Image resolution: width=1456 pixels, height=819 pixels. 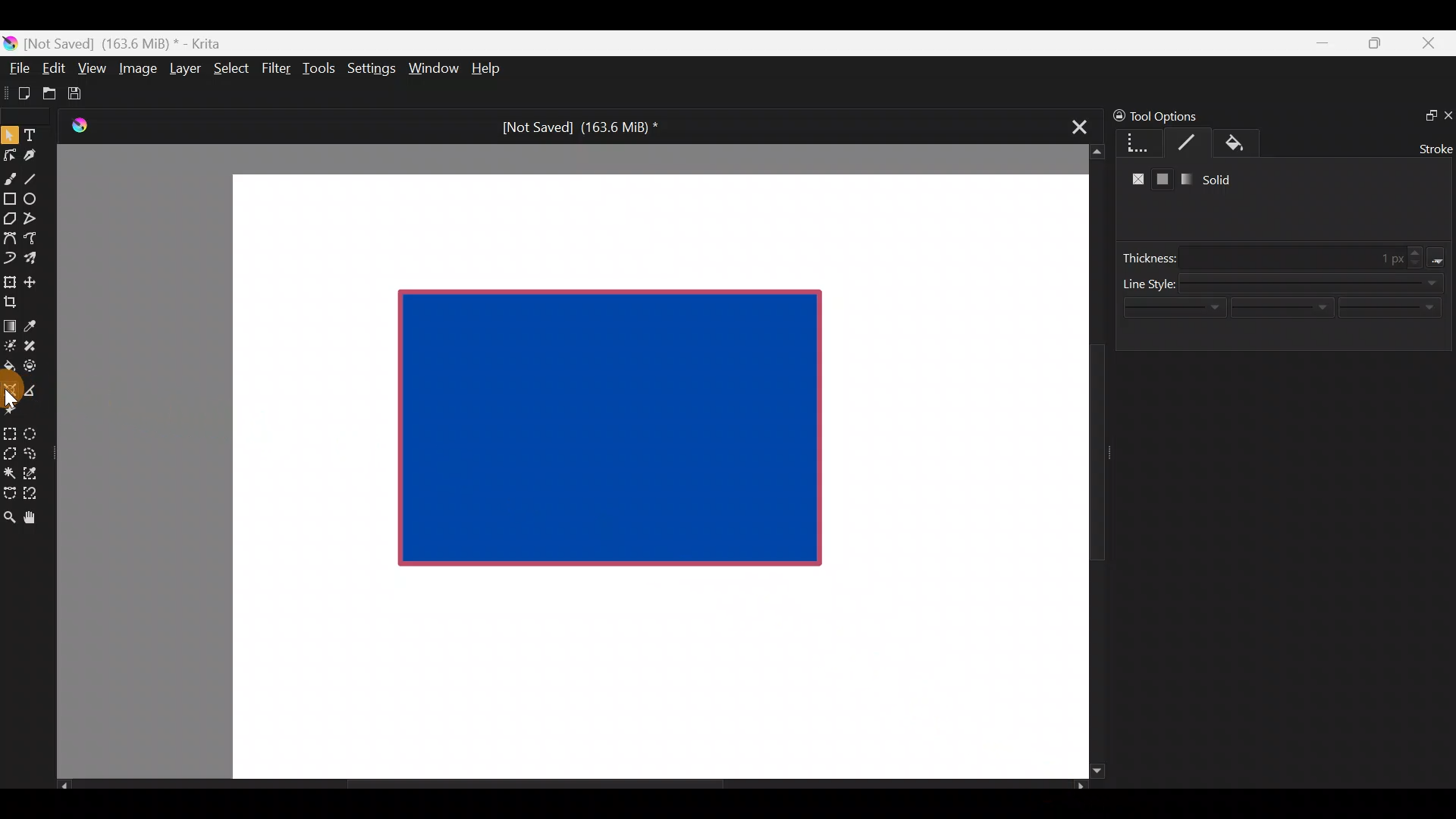 What do you see at coordinates (53, 71) in the screenshot?
I see `Edit` at bounding box center [53, 71].